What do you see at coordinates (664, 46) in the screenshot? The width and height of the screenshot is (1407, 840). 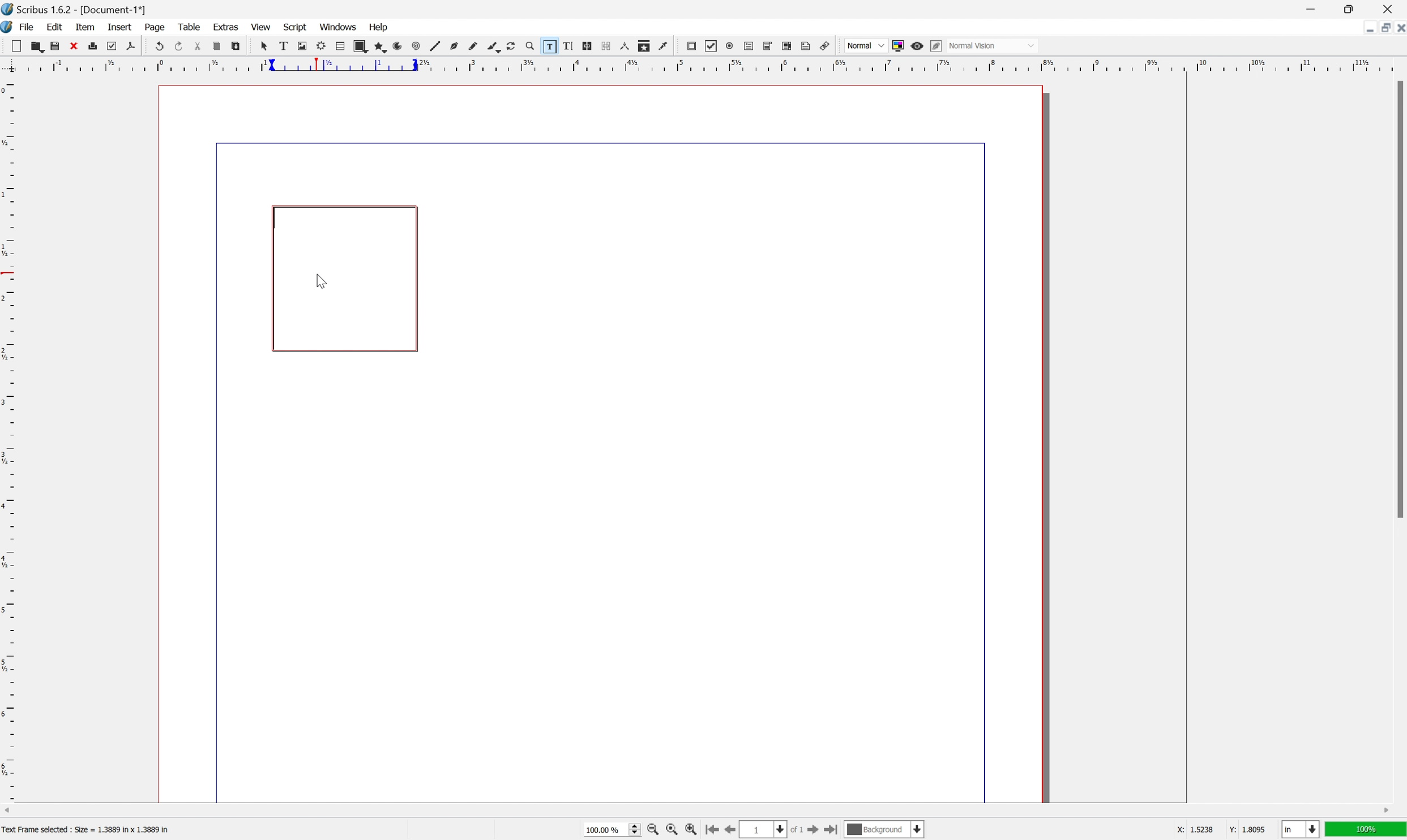 I see `eye dropper` at bounding box center [664, 46].